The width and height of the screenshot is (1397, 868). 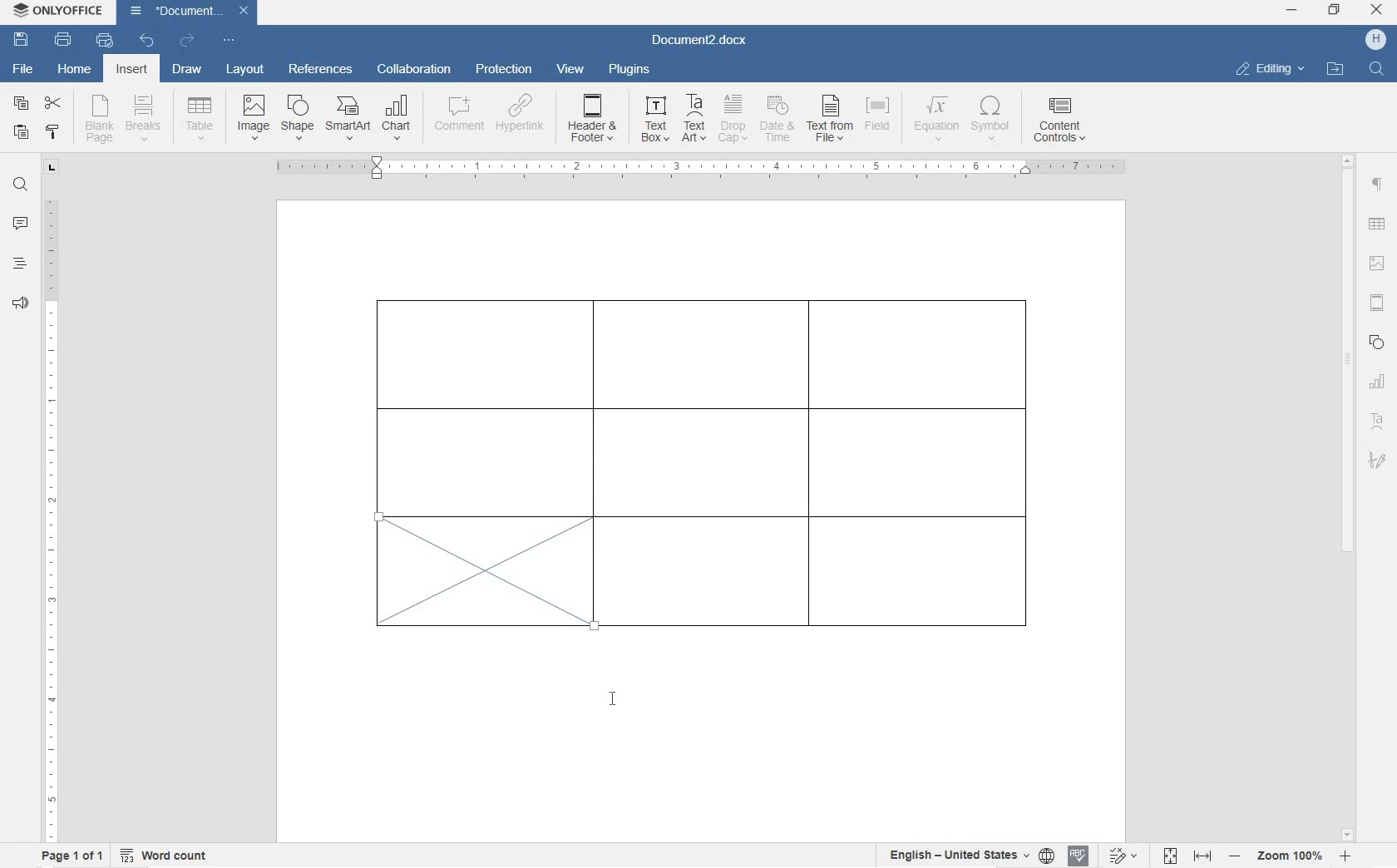 What do you see at coordinates (320, 69) in the screenshot?
I see `references` at bounding box center [320, 69].